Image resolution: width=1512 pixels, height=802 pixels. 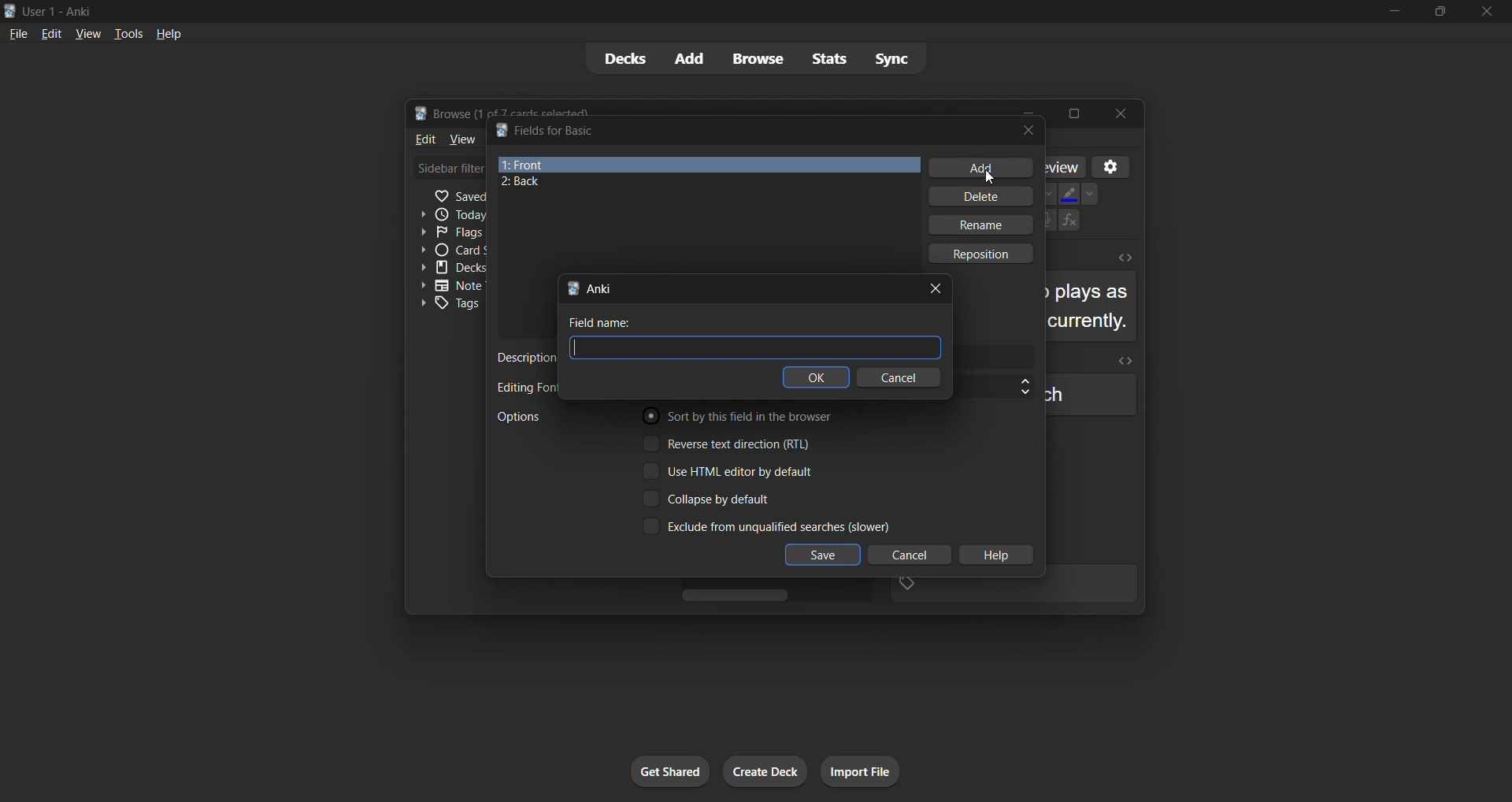 What do you see at coordinates (699, 184) in the screenshot?
I see `back field` at bounding box center [699, 184].